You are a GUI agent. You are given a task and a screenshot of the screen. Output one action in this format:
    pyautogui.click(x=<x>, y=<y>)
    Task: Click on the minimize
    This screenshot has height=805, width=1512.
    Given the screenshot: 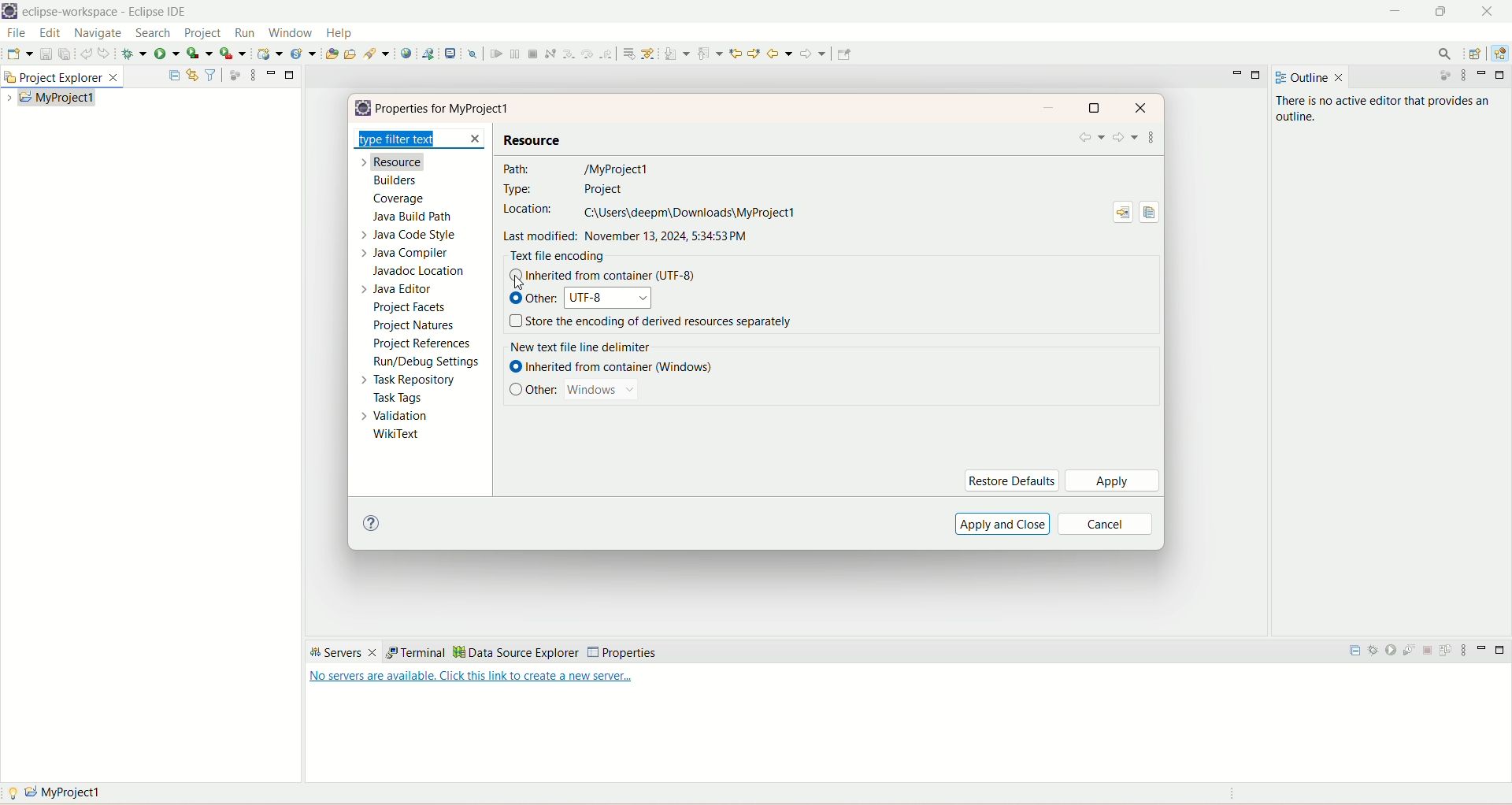 What is the action you would take?
    pyautogui.click(x=1052, y=109)
    